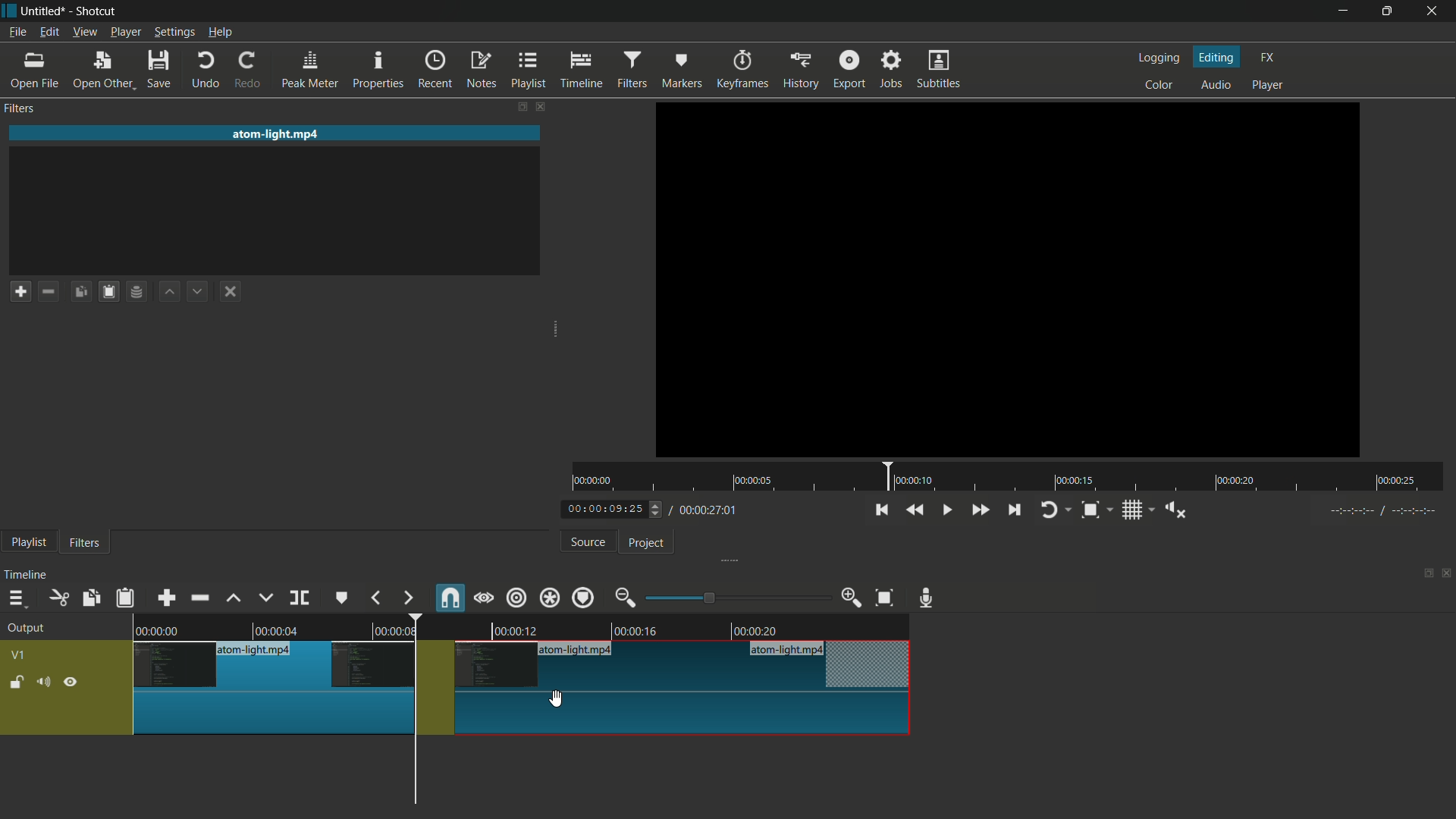  What do you see at coordinates (265, 598) in the screenshot?
I see `overwrite` at bounding box center [265, 598].